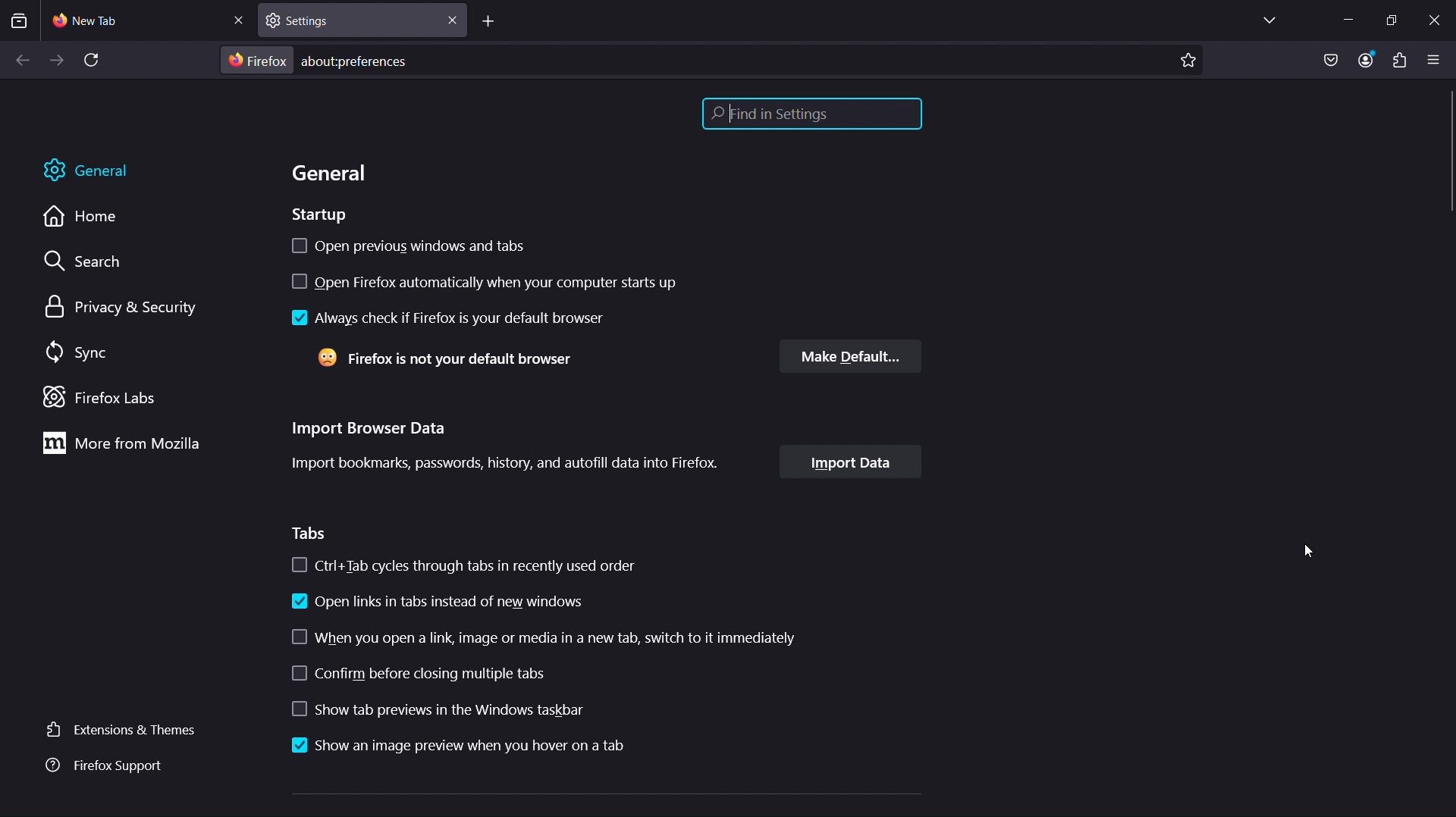 This screenshot has height=817, width=1456. Describe the element at coordinates (532, 669) in the screenshot. I see `Confirm before closing multiple tabs` at that location.